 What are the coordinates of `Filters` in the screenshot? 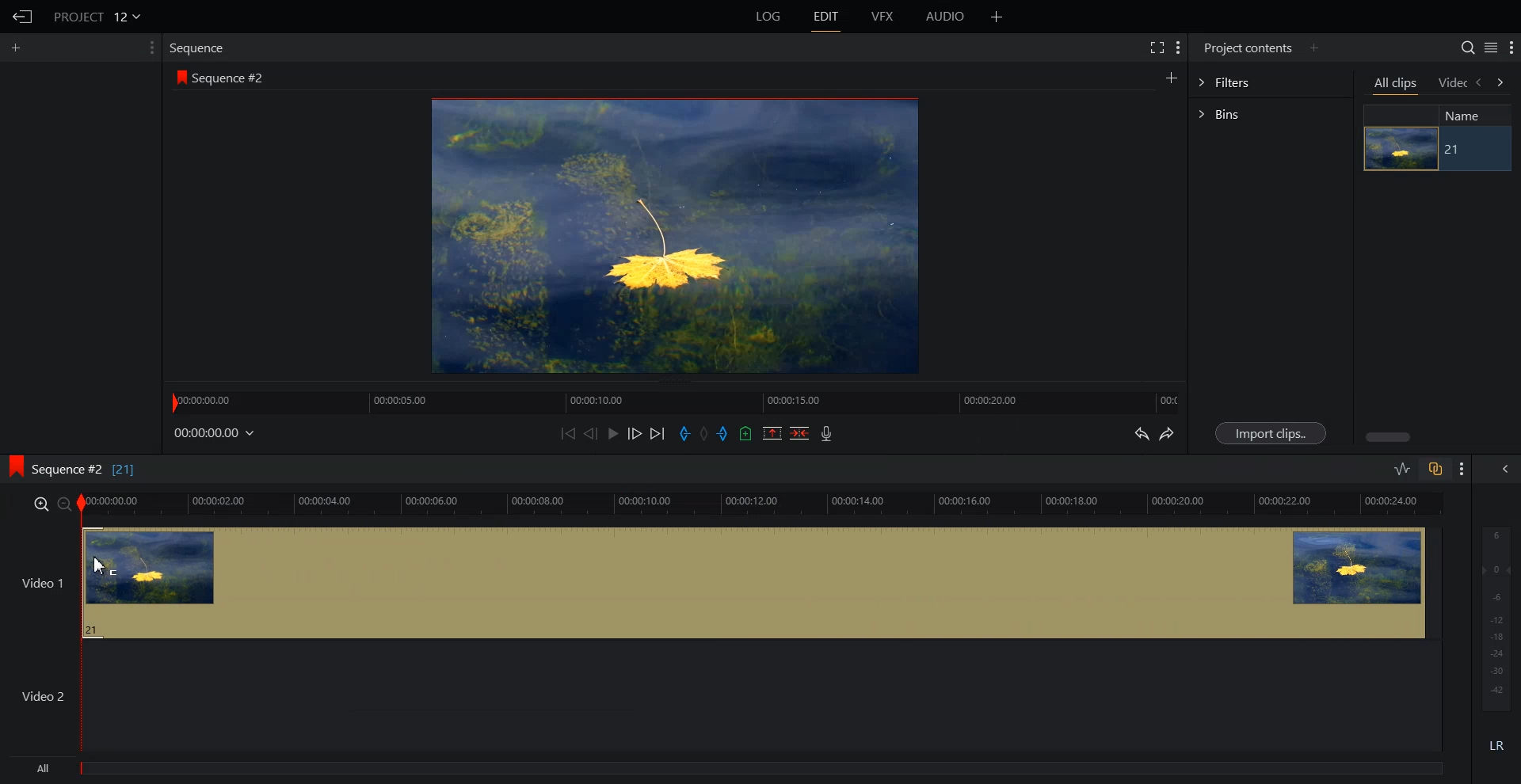 It's located at (1271, 83).